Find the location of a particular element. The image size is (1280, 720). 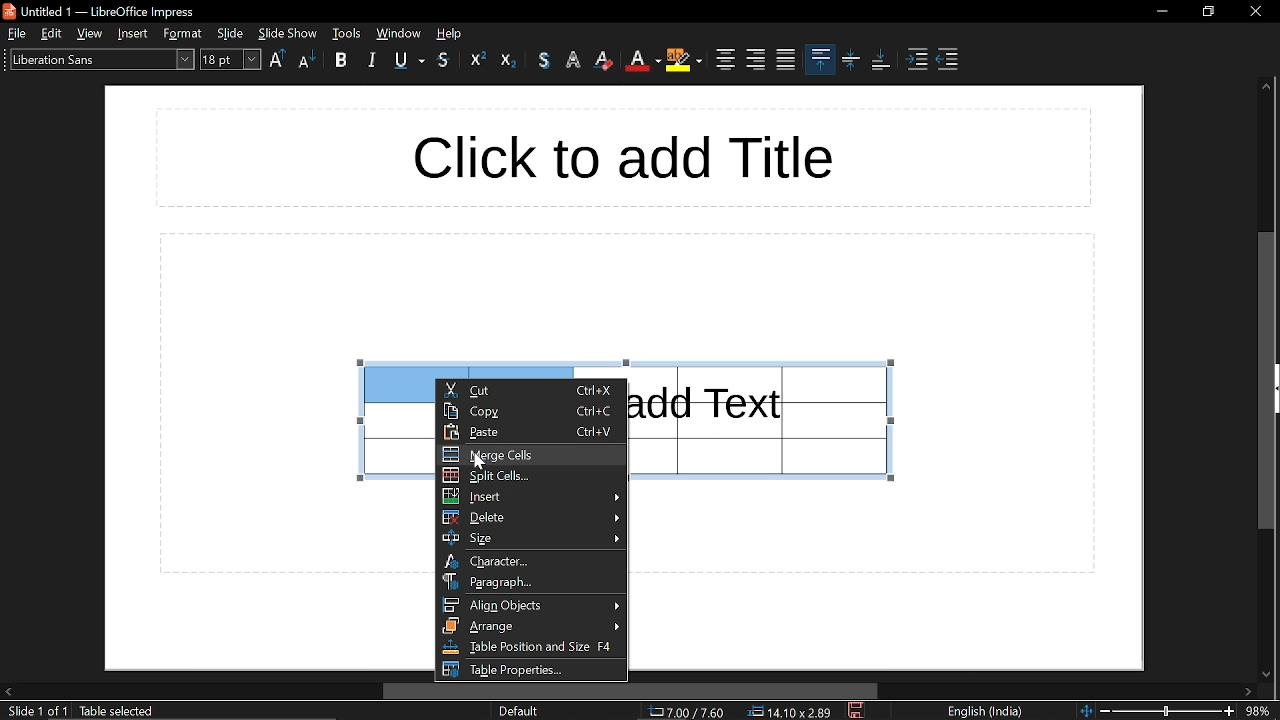

fit to page is located at coordinates (1085, 710).